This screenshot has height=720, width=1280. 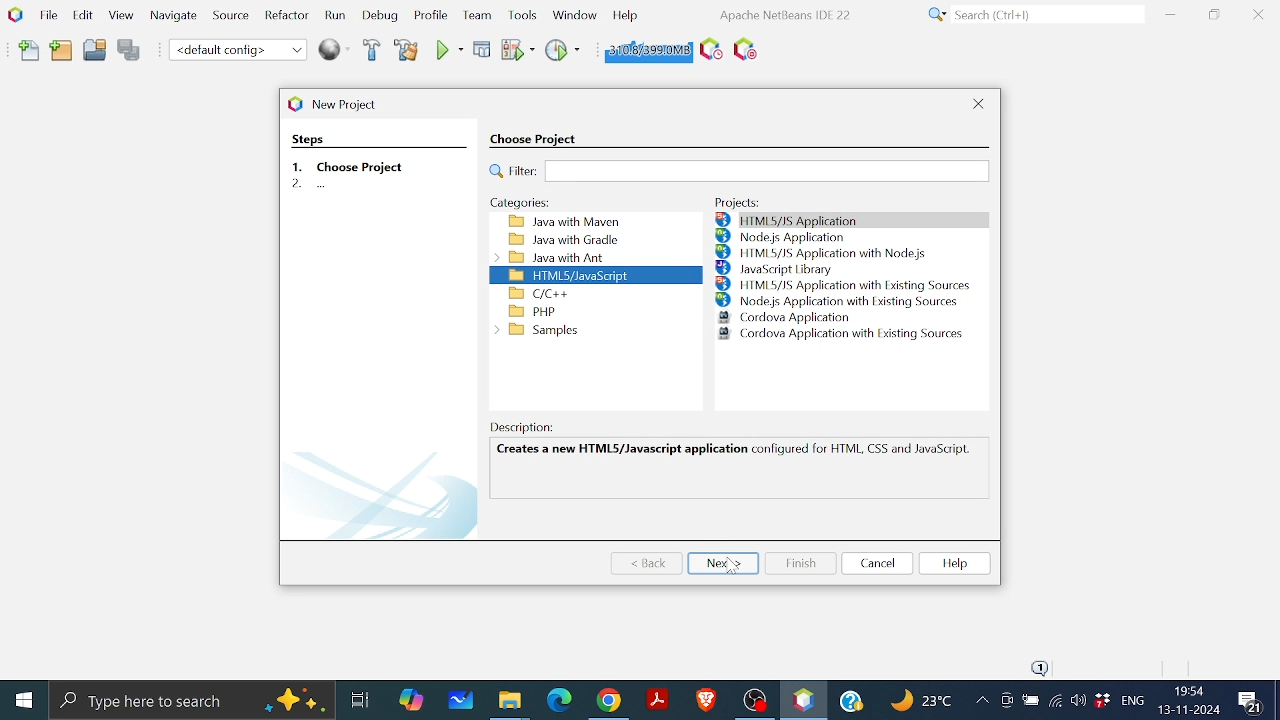 What do you see at coordinates (413, 698) in the screenshot?
I see `Copilot` at bounding box center [413, 698].